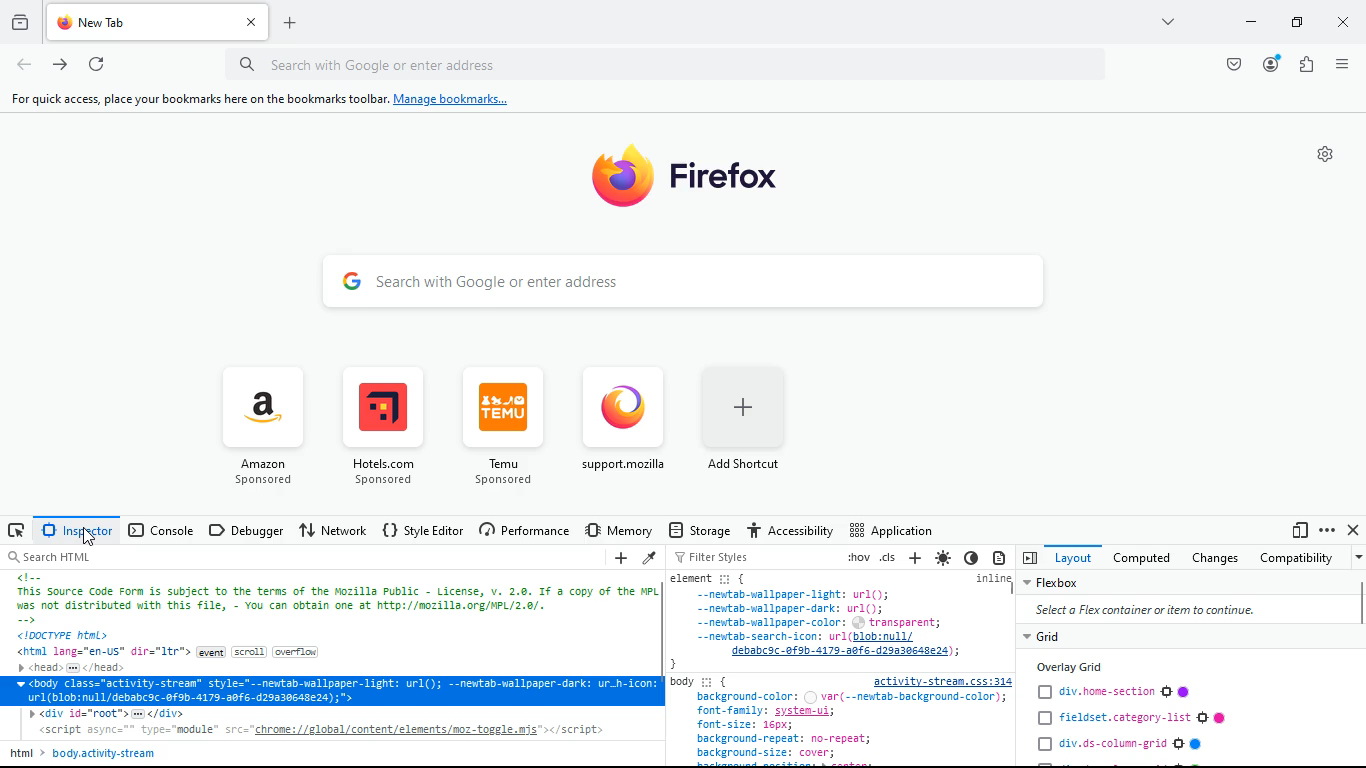 This screenshot has width=1366, height=768. Describe the element at coordinates (263, 425) in the screenshot. I see `amazon` at that location.